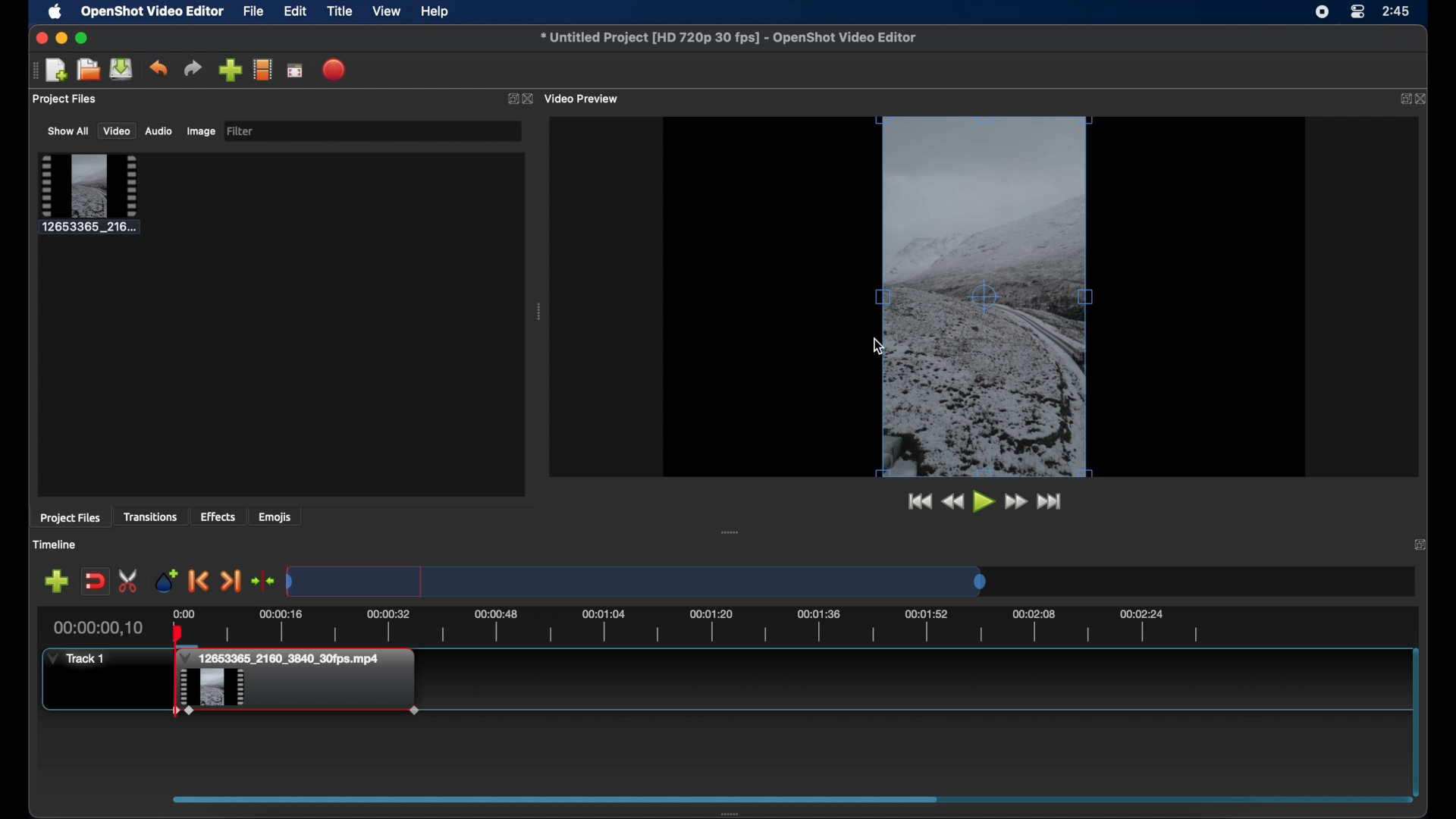 The width and height of the screenshot is (1456, 819). Describe the element at coordinates (263, 581) in the screenshot. I see `` at that location.